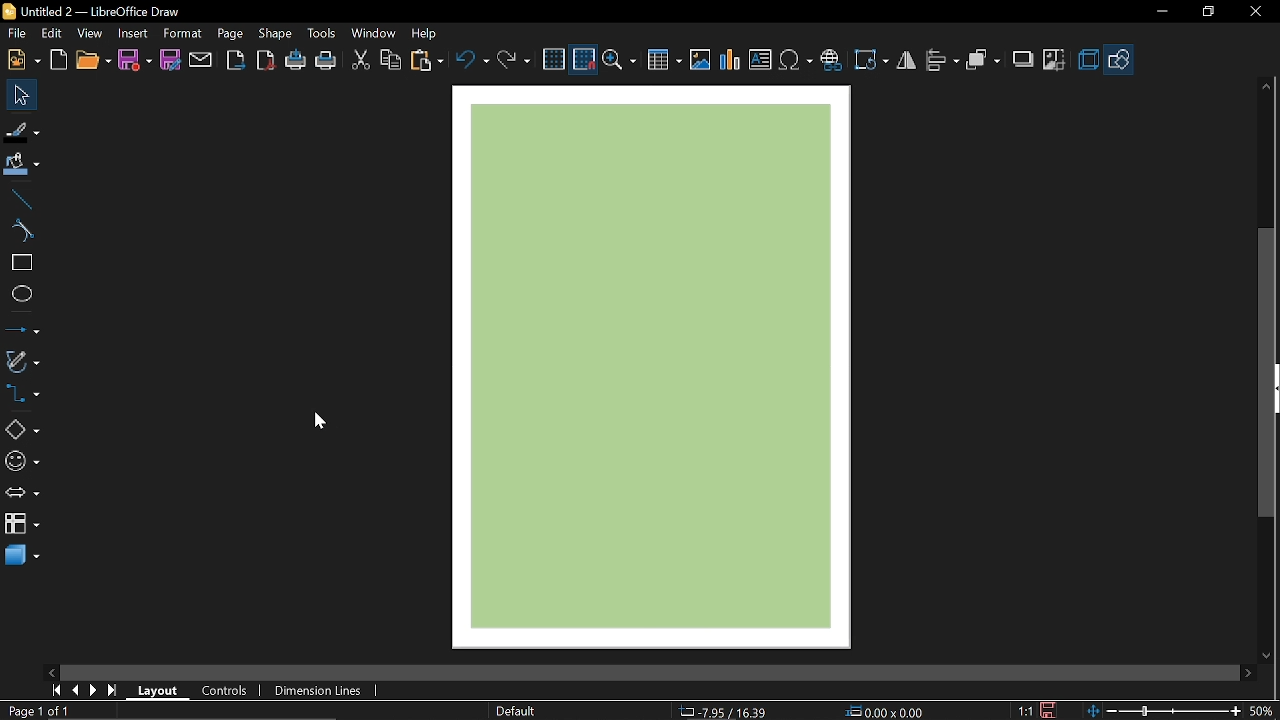 This screenshot has height=720, width=1280. Describe the element at coordinates (319, 419) in the screenshot. I see `Cursor` at that location.